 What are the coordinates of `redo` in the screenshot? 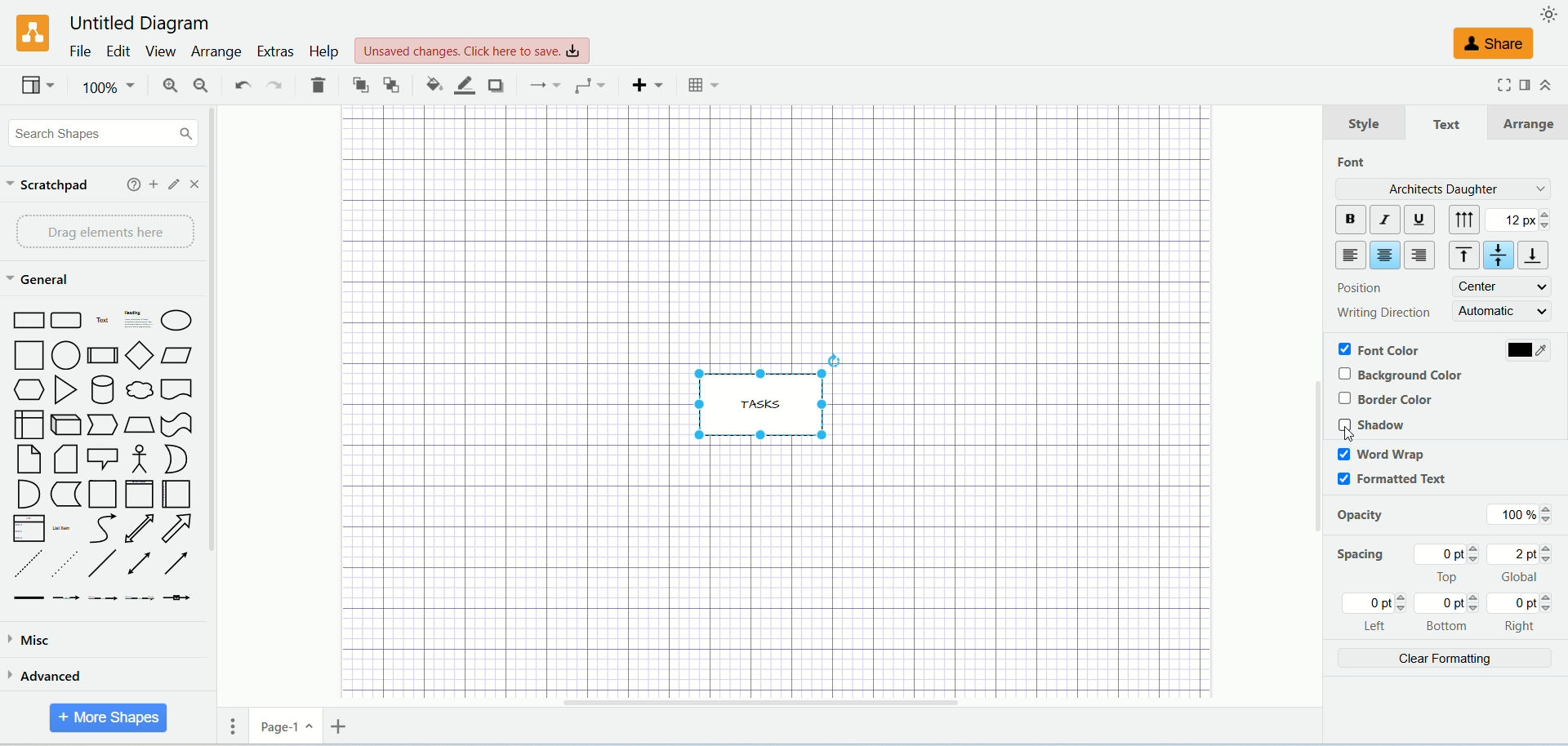 It's located at (275, 85).